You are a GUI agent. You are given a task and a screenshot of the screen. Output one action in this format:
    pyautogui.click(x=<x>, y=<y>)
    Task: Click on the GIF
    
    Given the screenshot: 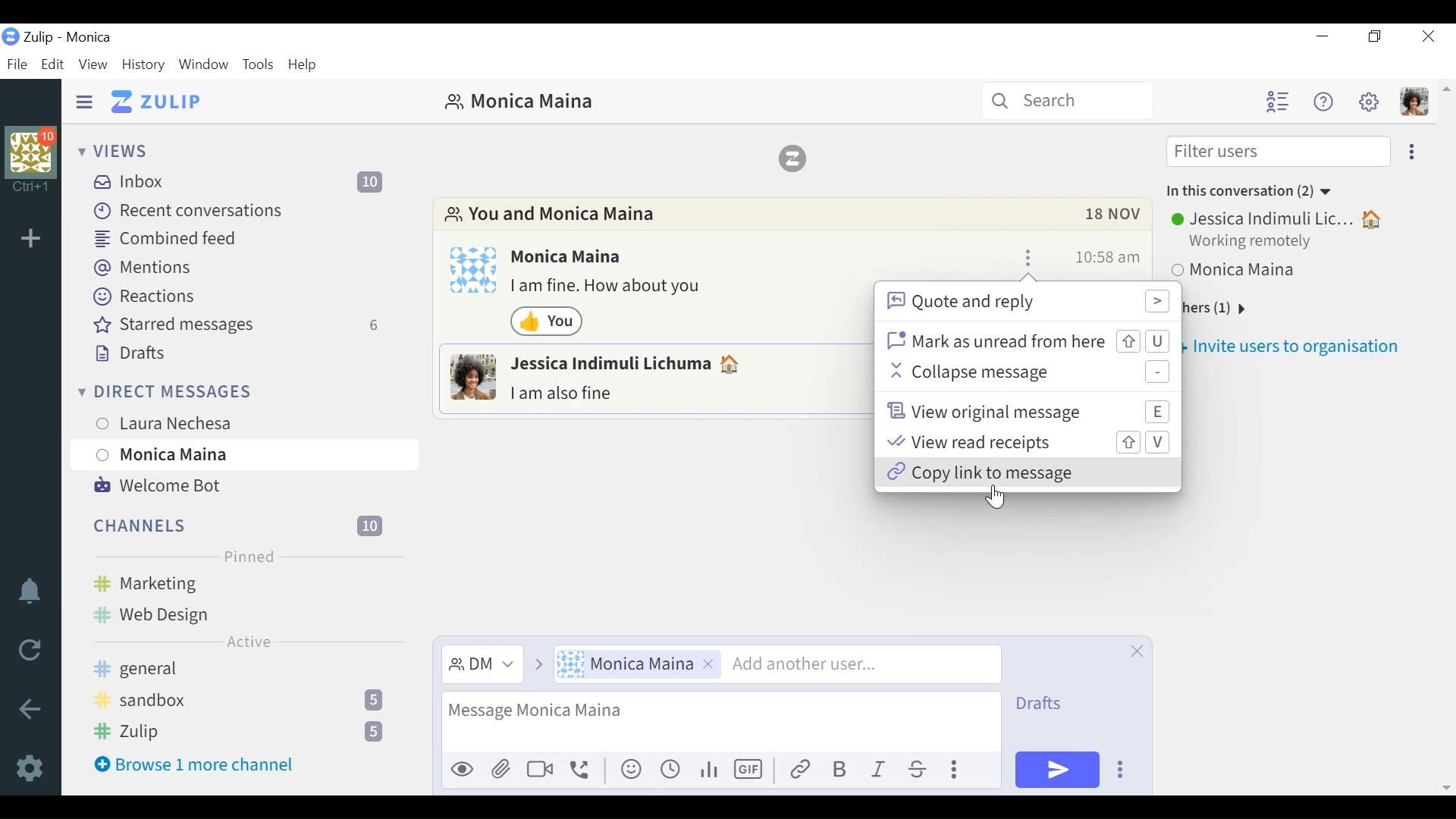 What is the action you would take?
    pyautogui.click(x=750, y=769)
    